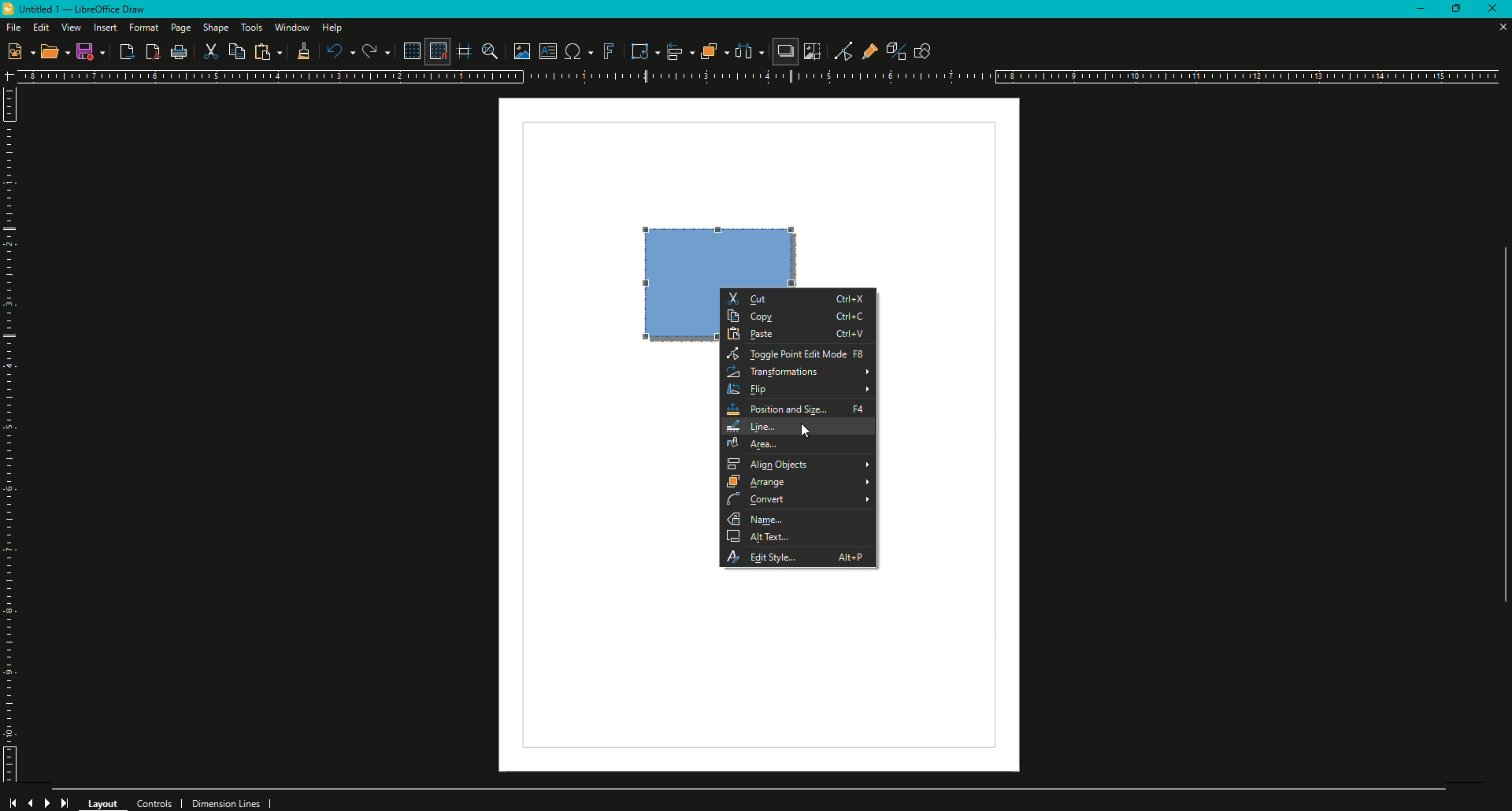 Image resolution: width=1512 pixels, height=811 pixels. What do you see at coordinates (80, 9) in the screenshot?
I see `Untitled 1 - LibreOffice Draw` at bounding box center [80, 9].